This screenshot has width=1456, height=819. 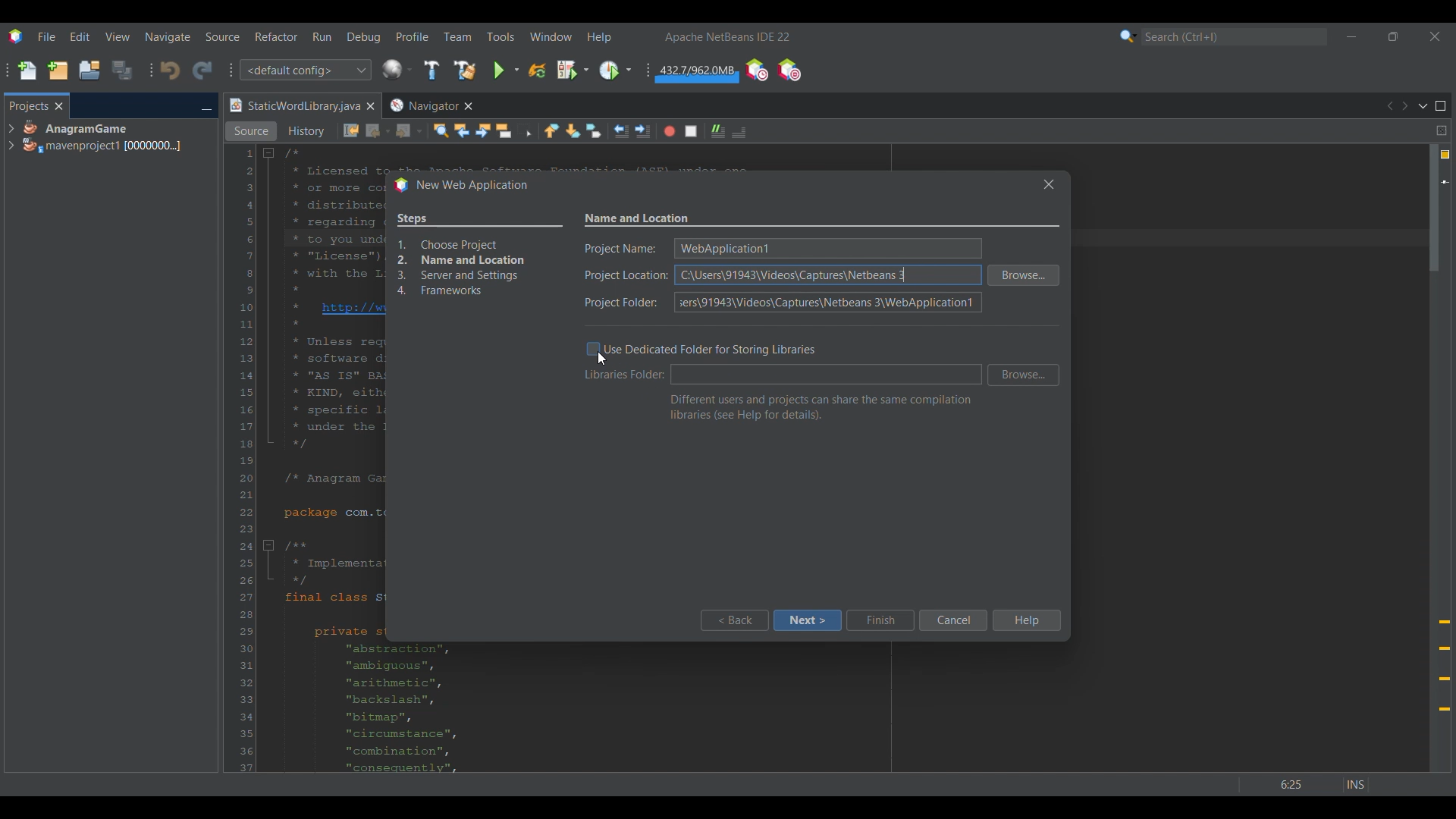 What do you see at coordinates (46, 36) in the screenshot?
I see `File menu` at bounding box center [46, 36].